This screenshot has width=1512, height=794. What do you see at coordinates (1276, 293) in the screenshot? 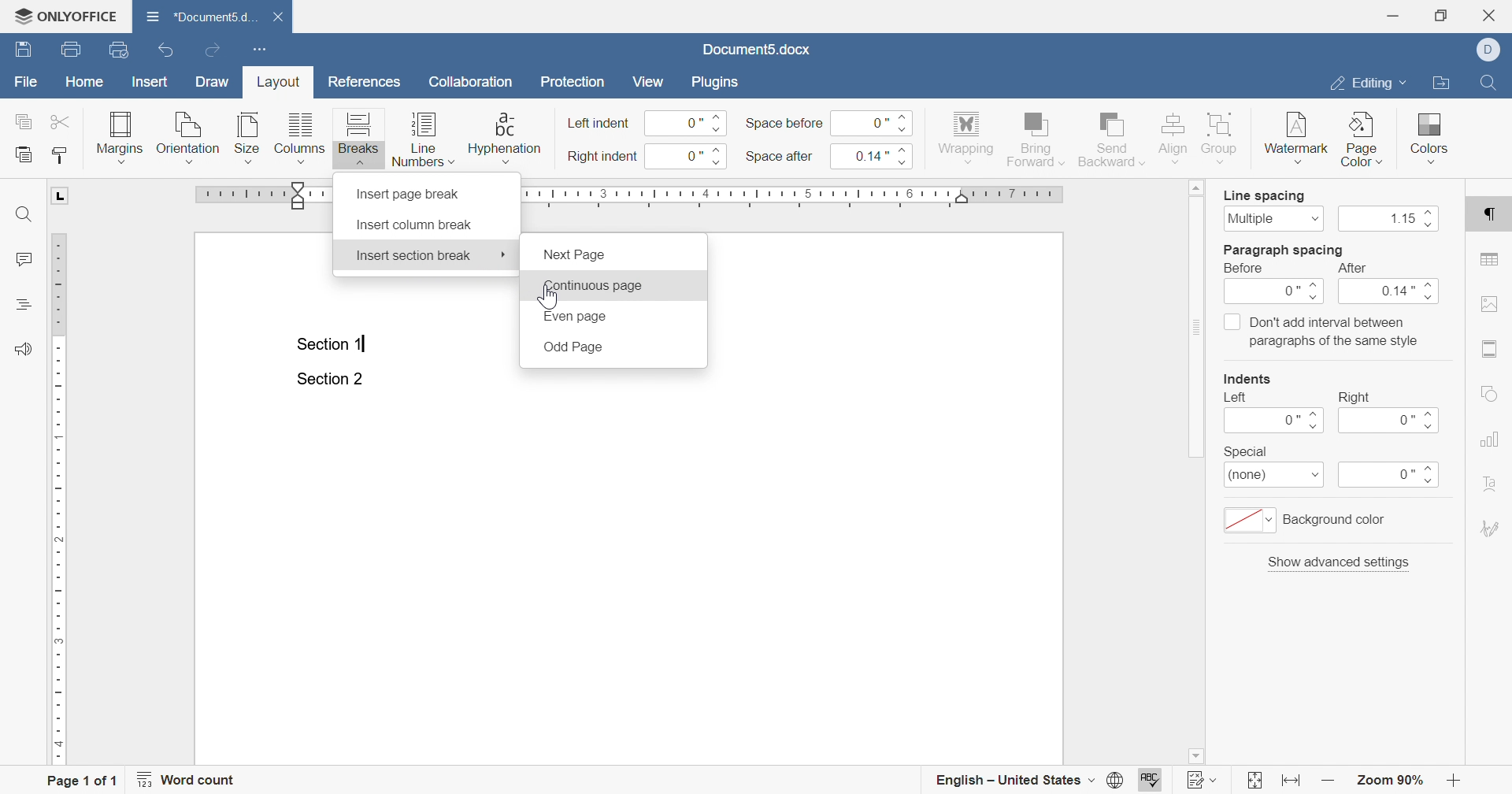
I see `0` at bounding box center [1276, 293].